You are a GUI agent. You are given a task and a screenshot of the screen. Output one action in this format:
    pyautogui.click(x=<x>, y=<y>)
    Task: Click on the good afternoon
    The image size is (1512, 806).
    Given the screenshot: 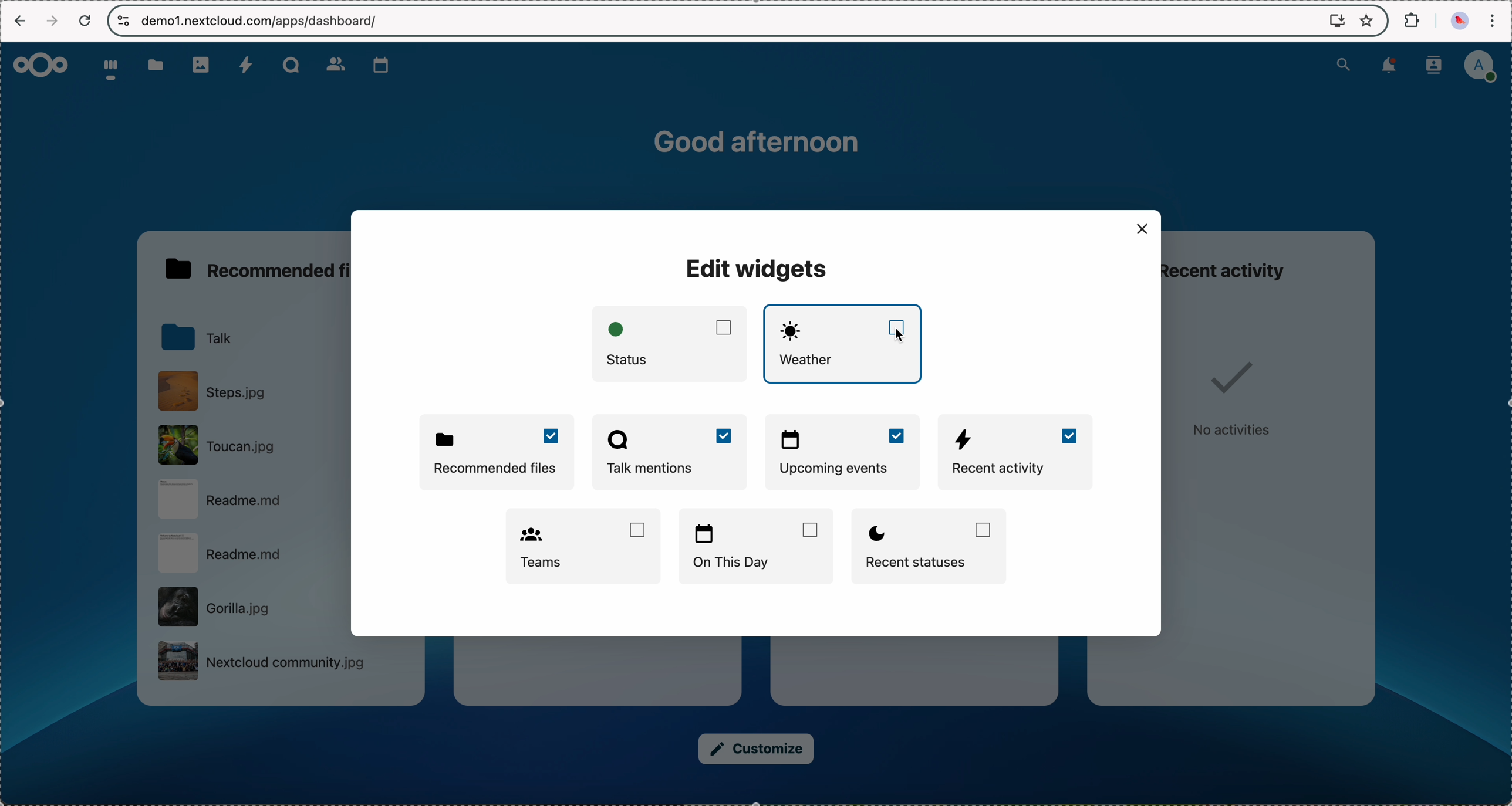 What is the action you would take?
    pyautogui.click(x=761, y=141)
    